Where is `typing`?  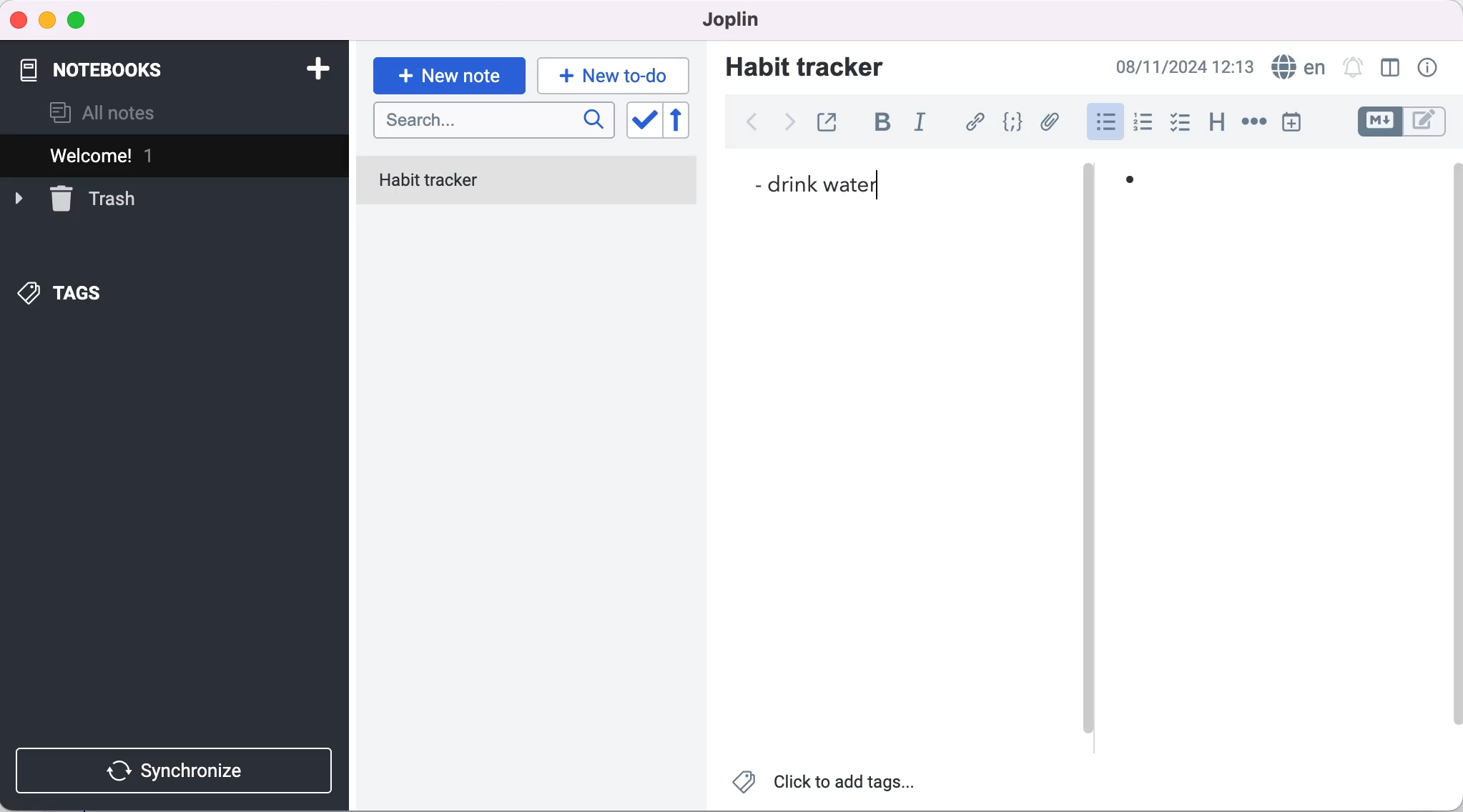
typing is located at coordinates (614, 75).